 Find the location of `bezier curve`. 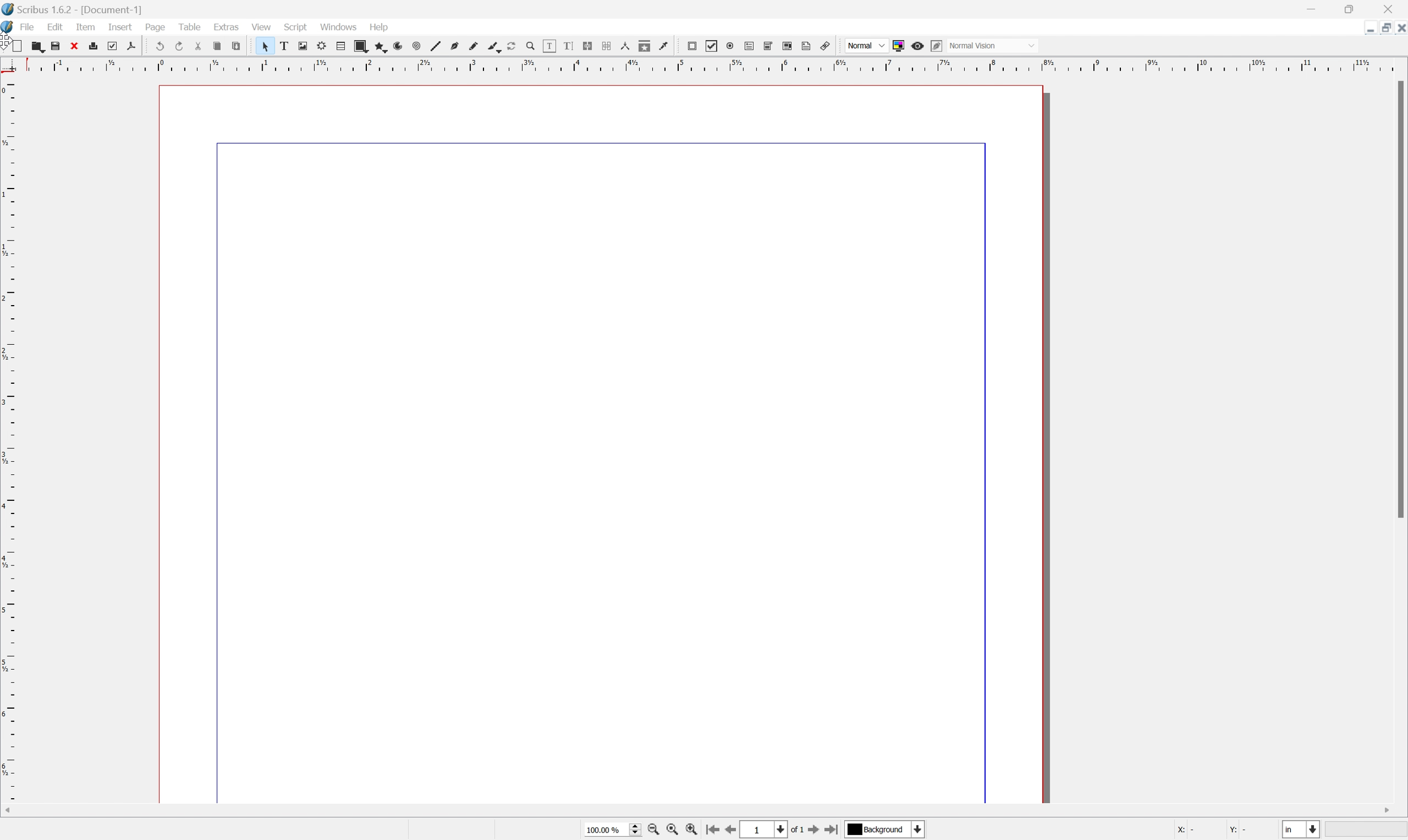

bezier curve is located at coordinates (452, 45).